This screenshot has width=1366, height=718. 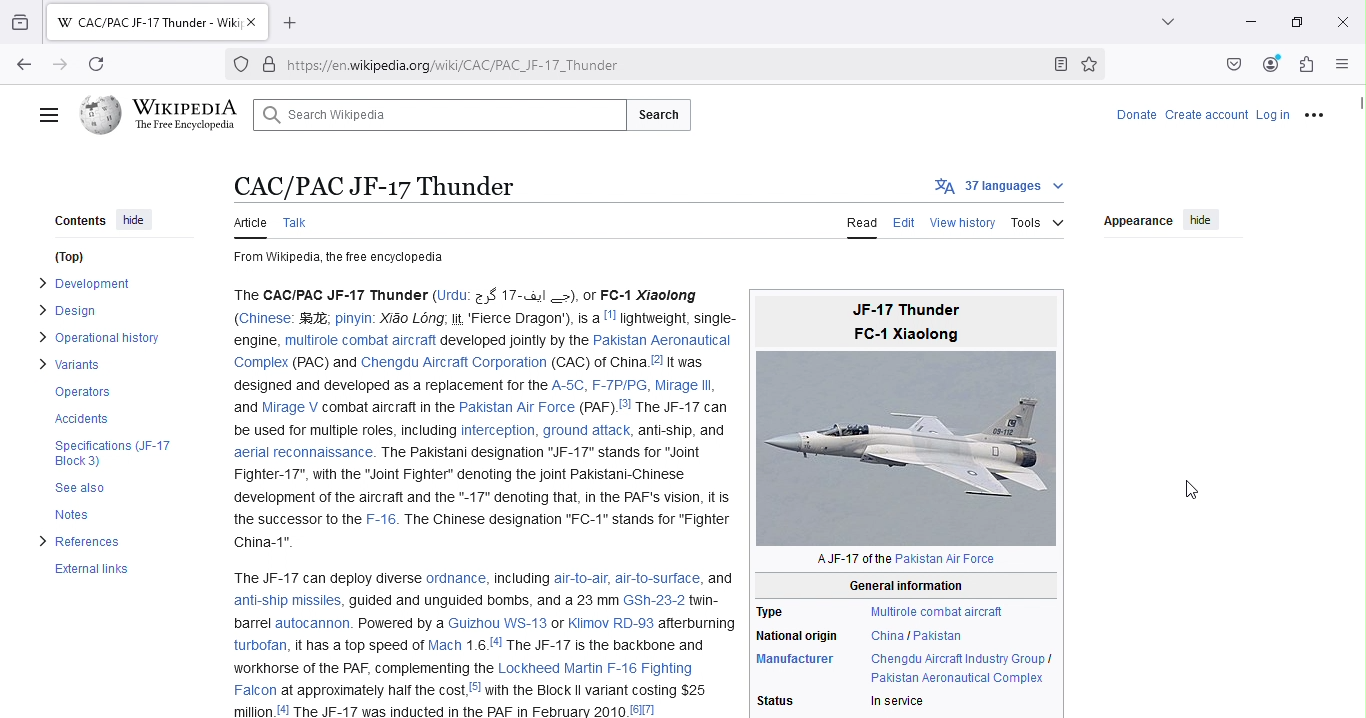 I want to click on Status, so click(x=779, y=700).